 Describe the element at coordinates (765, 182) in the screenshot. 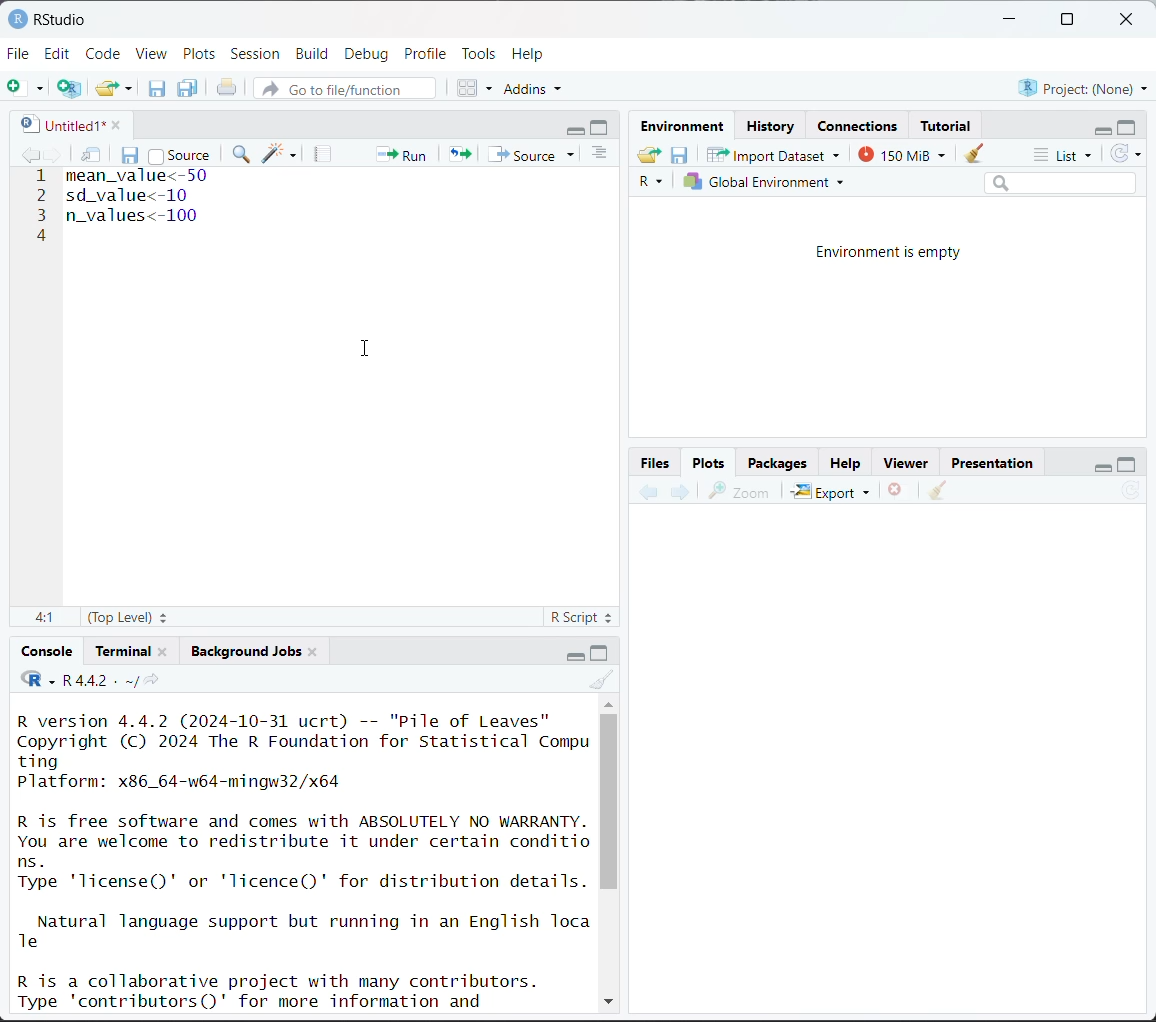

I see `Global environment` at that location.